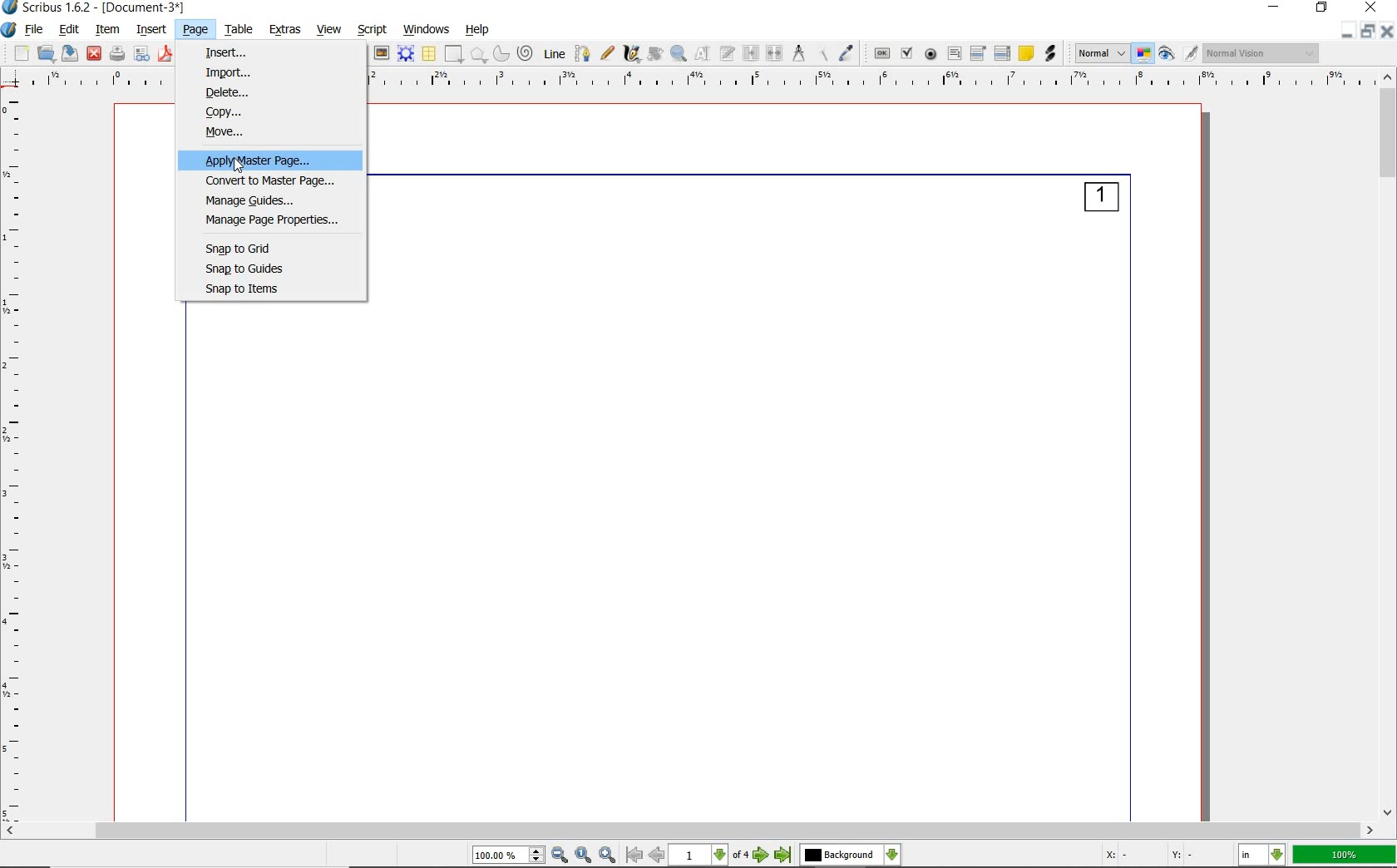 The width and height of the screenshot is (1397, 868). Describe the element at coordinates (46, 52) in the screenshot. I see `open` at that location.